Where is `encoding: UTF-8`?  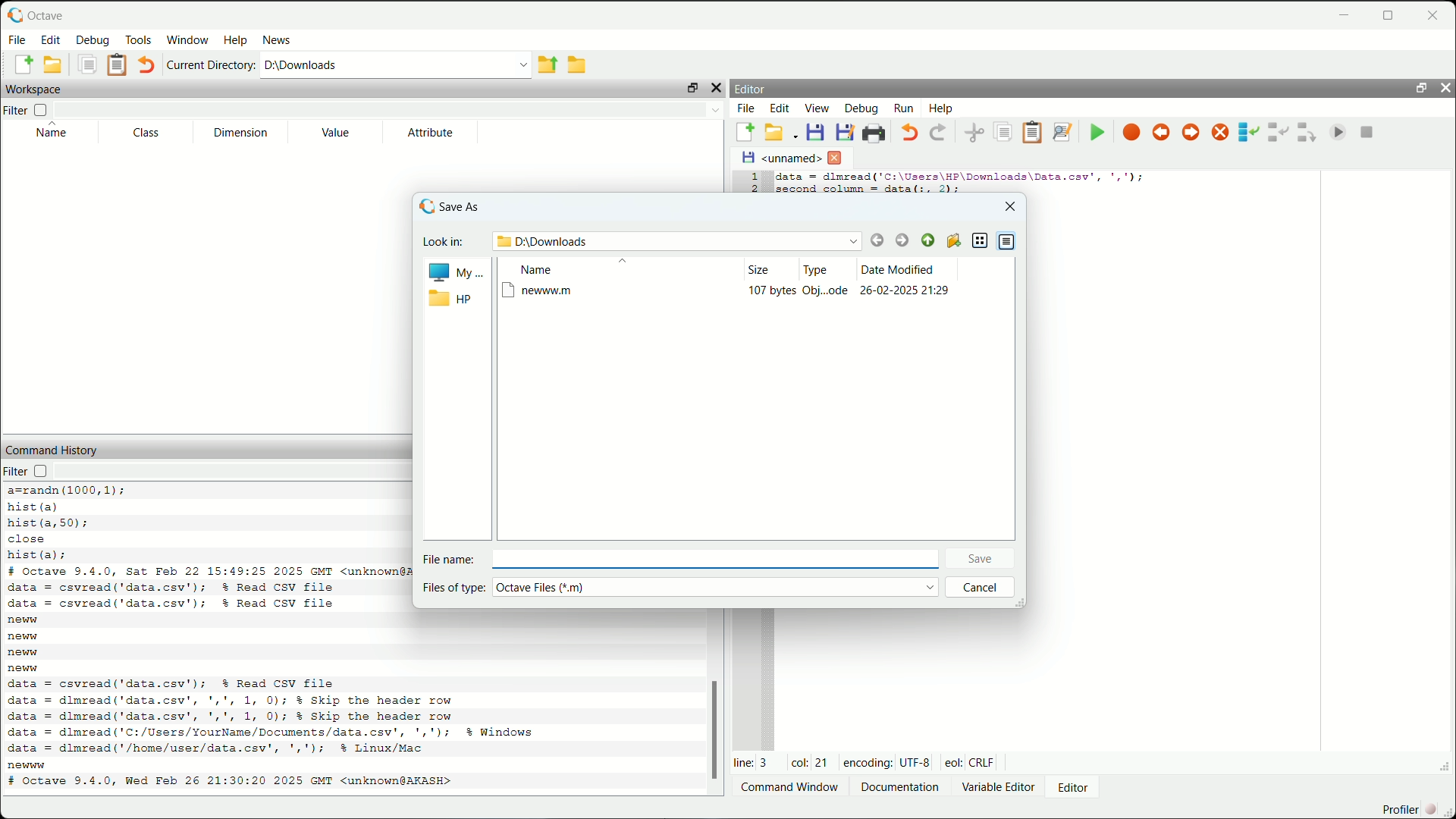
encoding: UTF-8 is located at coordinates (887, 761).